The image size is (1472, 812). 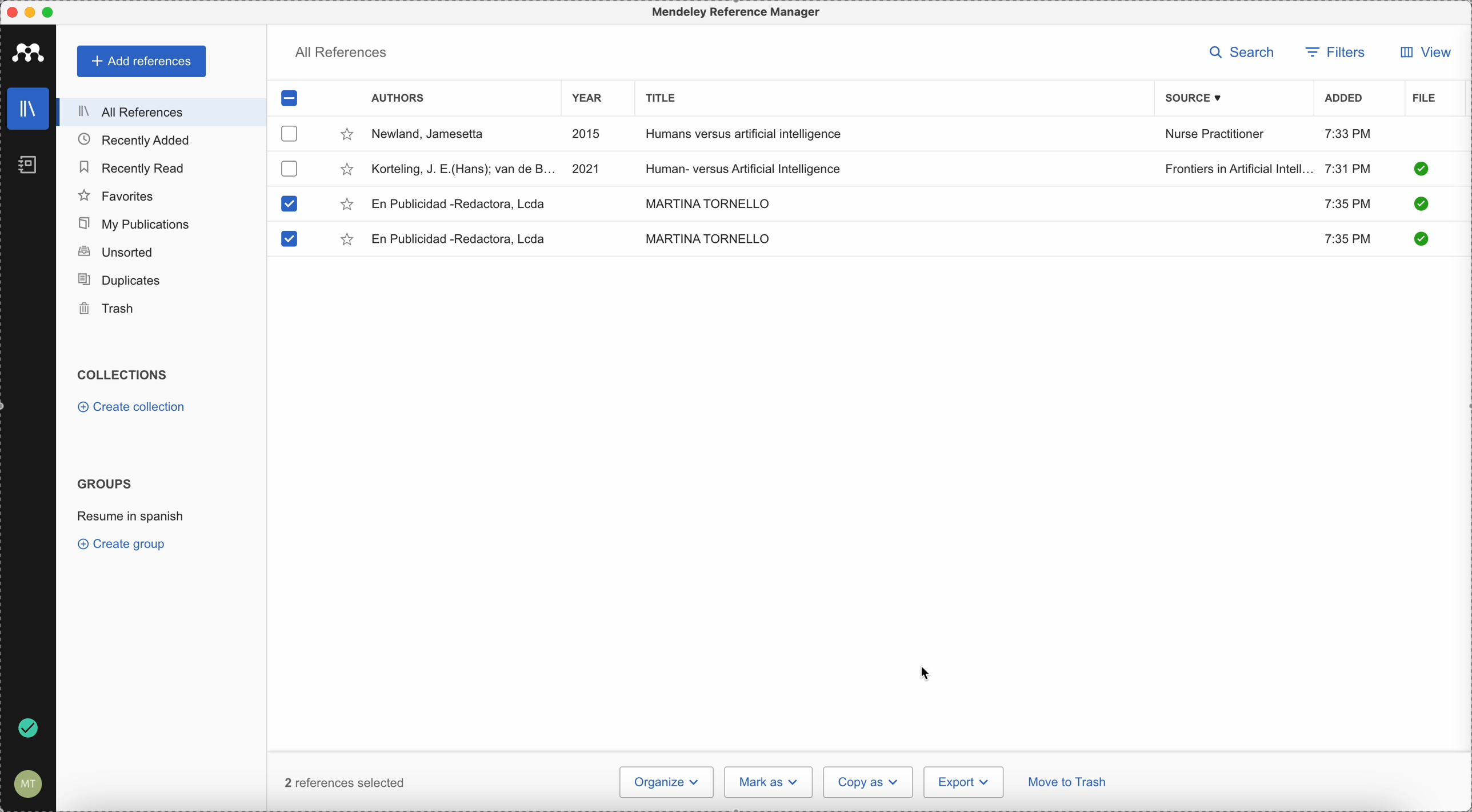 I want to click on checkbox, so click(x=291, y=133).